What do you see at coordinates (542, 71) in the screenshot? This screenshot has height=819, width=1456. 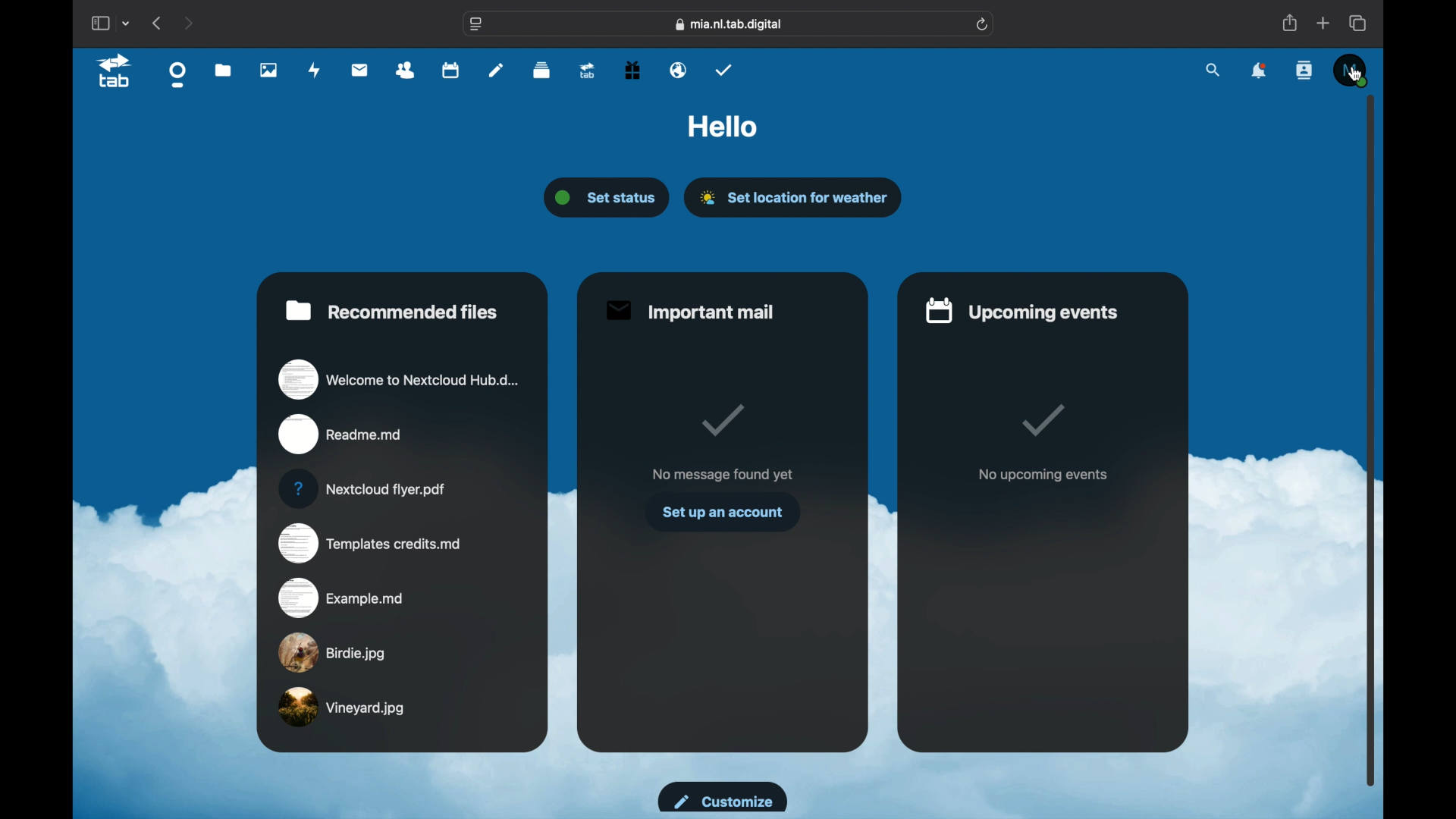 I see `deck` at bounding box center [542, 71].